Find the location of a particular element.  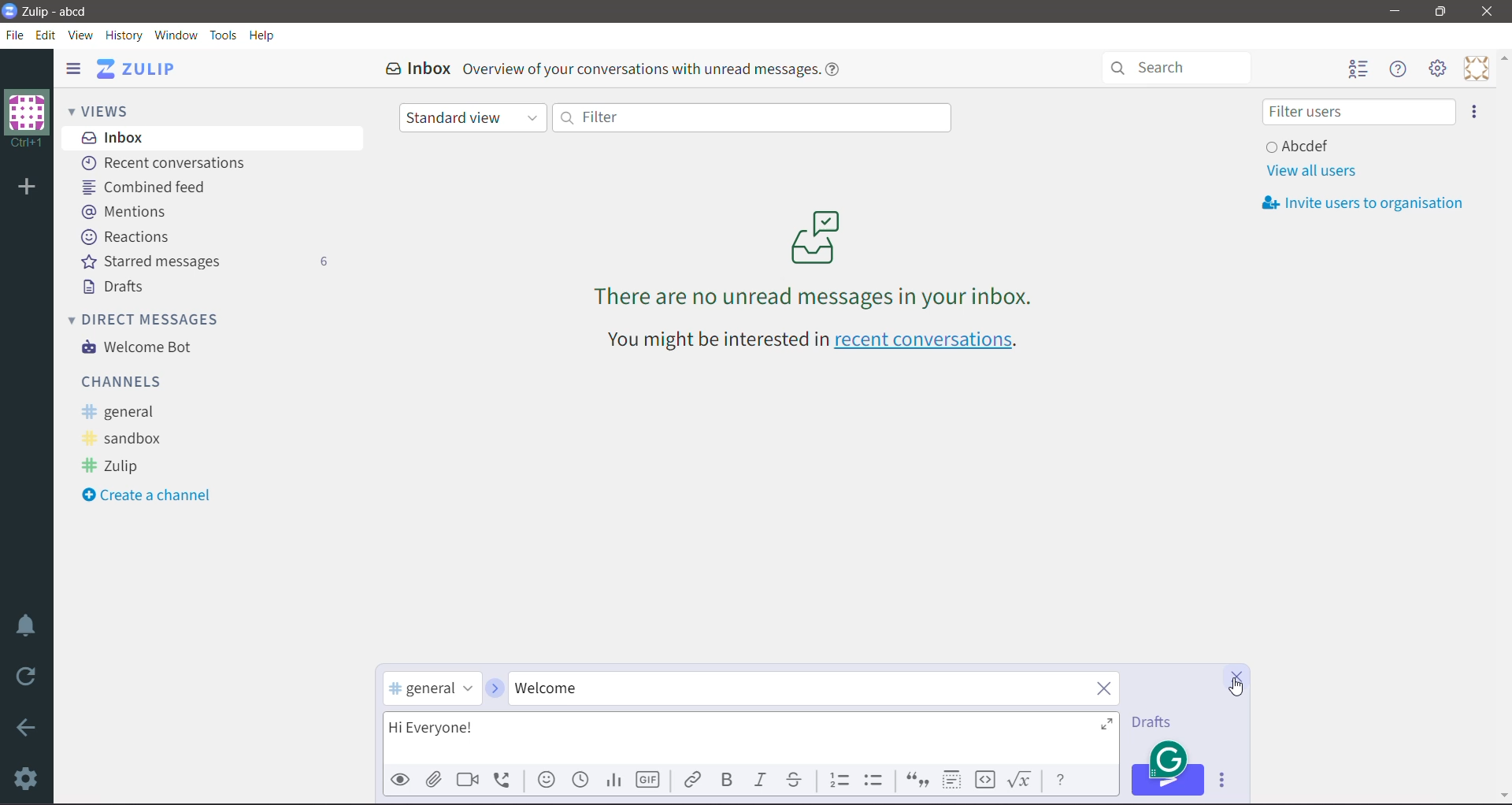

Link is located at coordinates (692, 778).